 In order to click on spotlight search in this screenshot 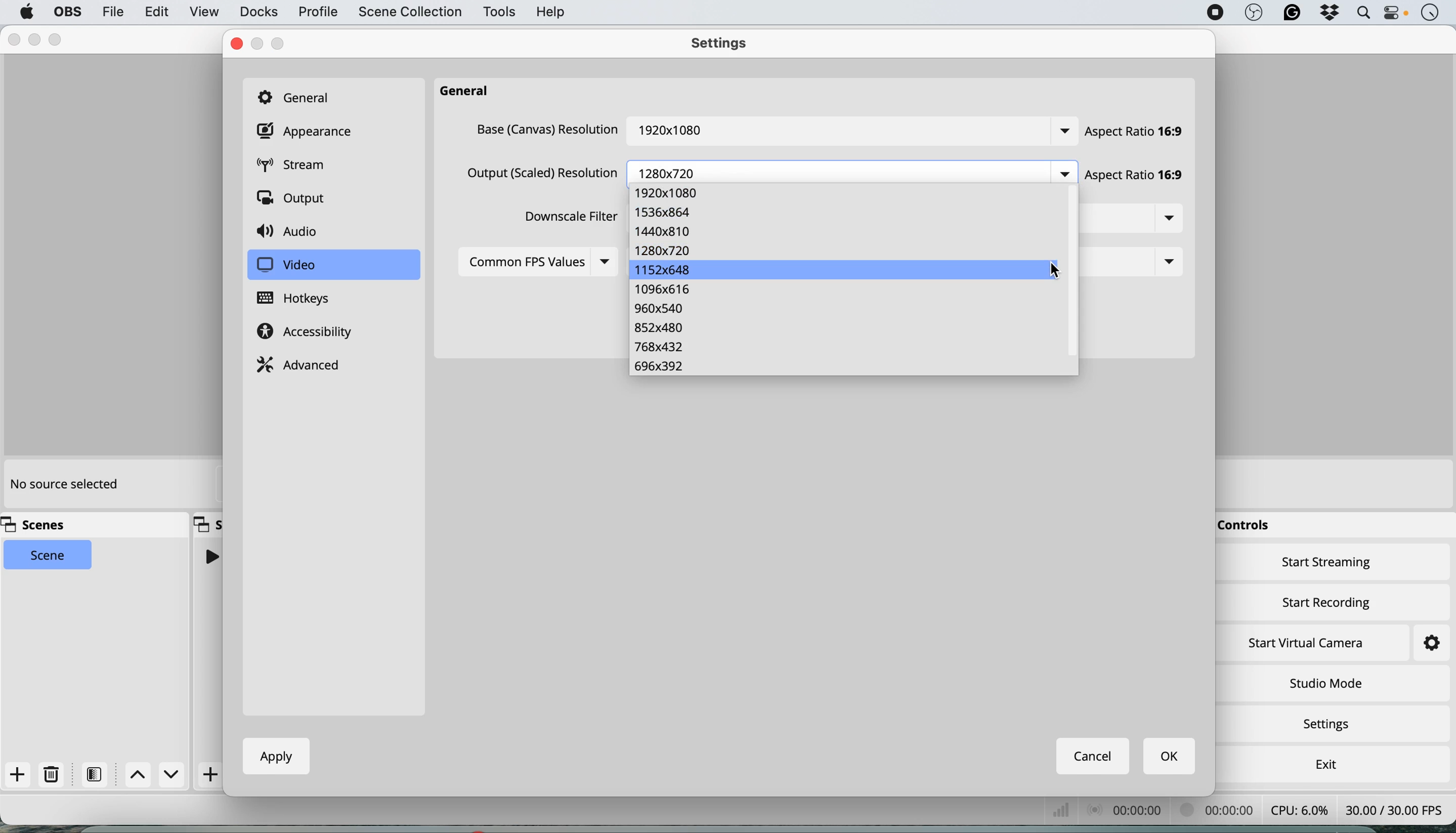, I will do `click(1363, 13)`.